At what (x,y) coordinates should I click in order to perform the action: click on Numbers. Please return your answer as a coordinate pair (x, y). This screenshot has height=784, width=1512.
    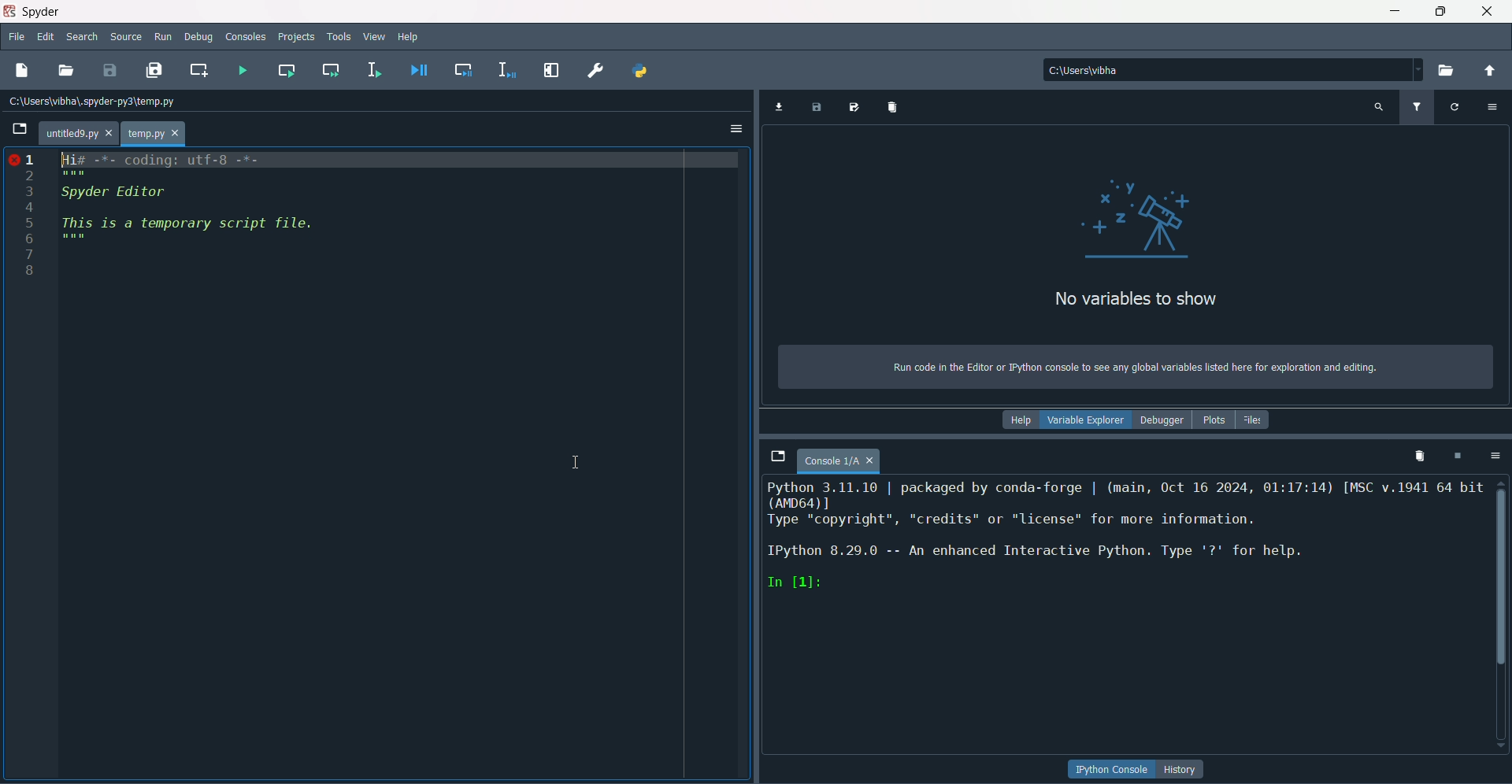
    Looking at the image, I should click on (23, 220).